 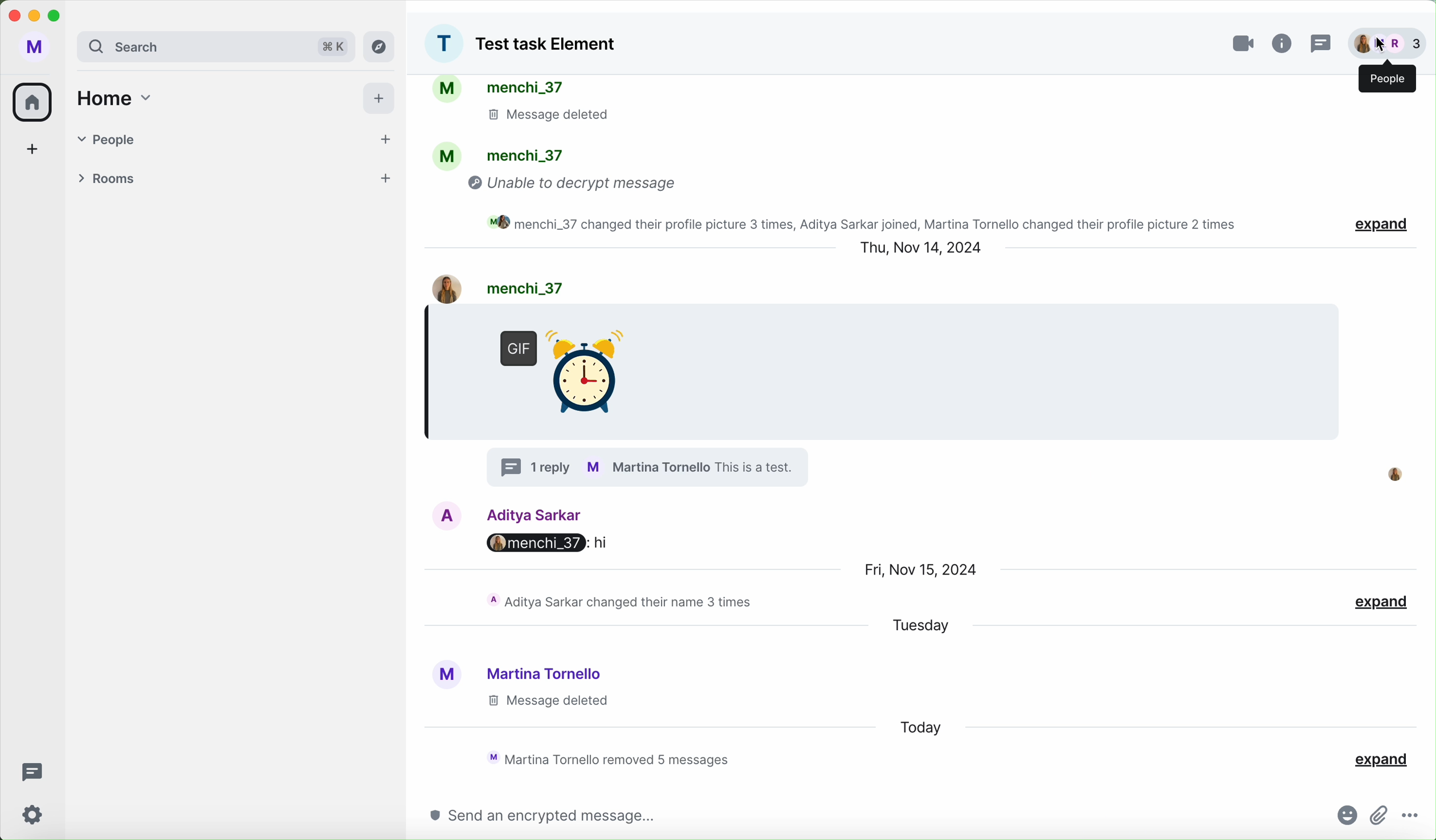 What do you see at coordinates (437, 287) in the screenshot?
I see `image profile` at bounding box center [437, 287].